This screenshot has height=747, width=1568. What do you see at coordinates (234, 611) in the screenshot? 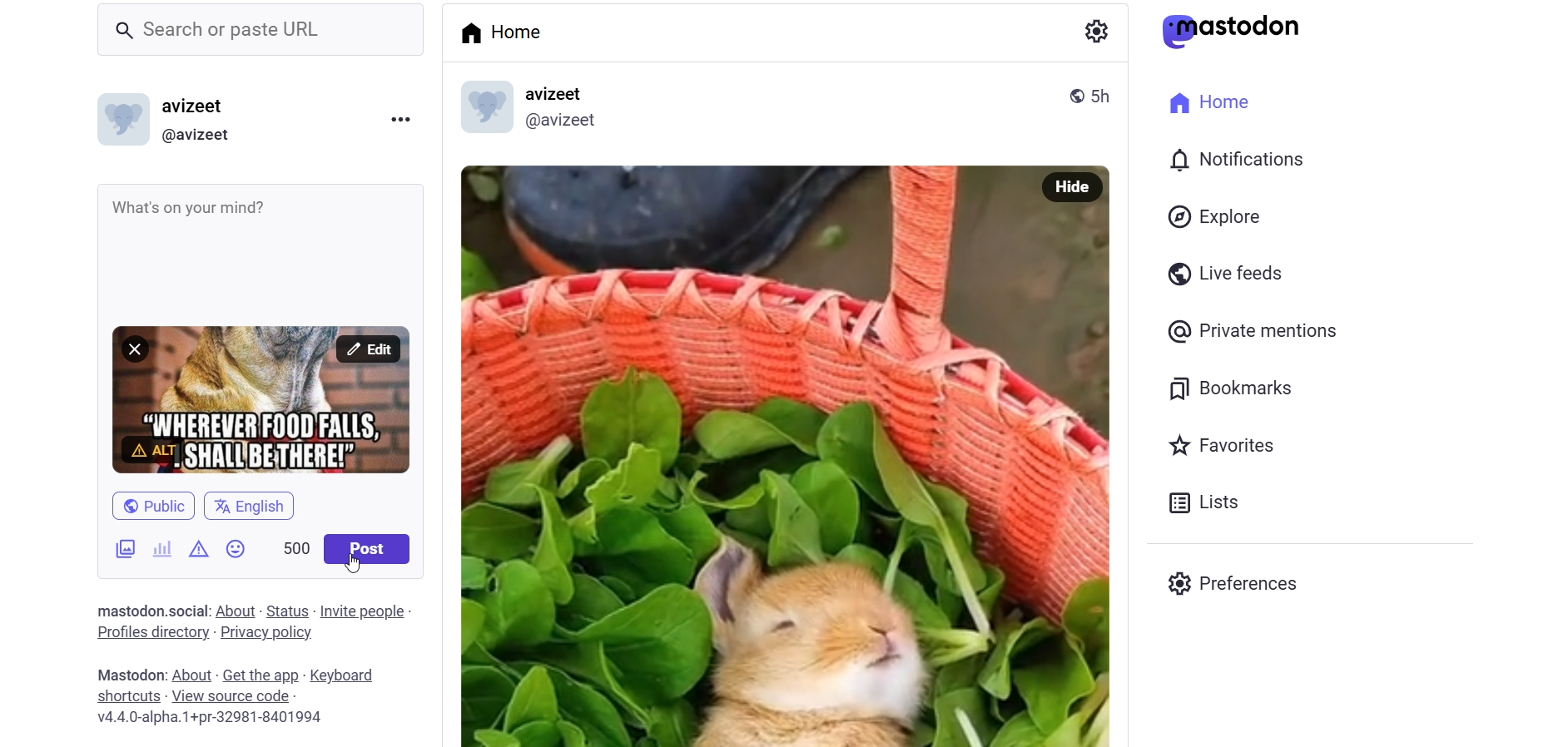
I see `about` at bounding box center [234, 611].